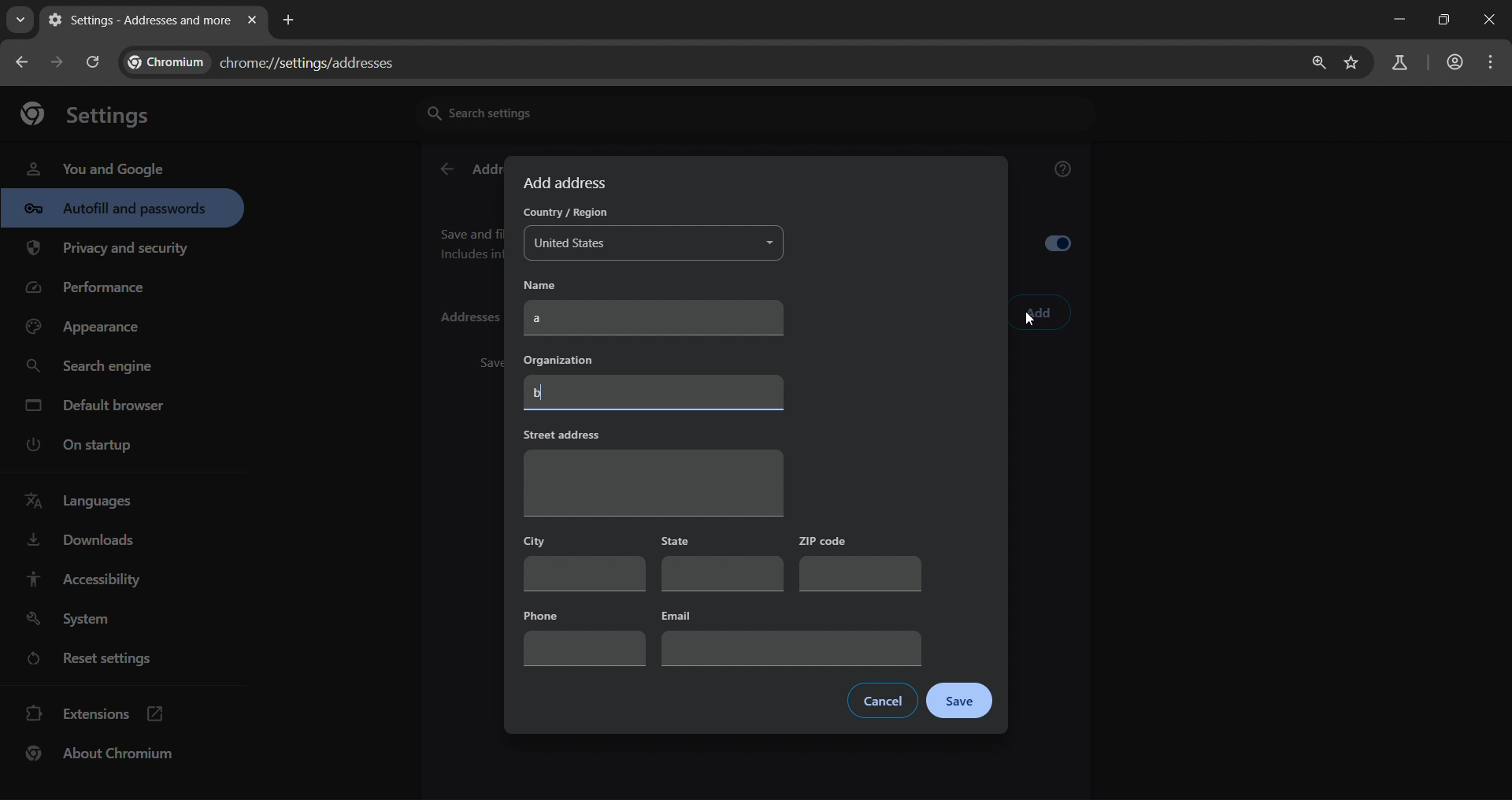  What do you see at coordinates (91, 61) in the screenshot?
I see `reload` at bounding box center [91, 61].